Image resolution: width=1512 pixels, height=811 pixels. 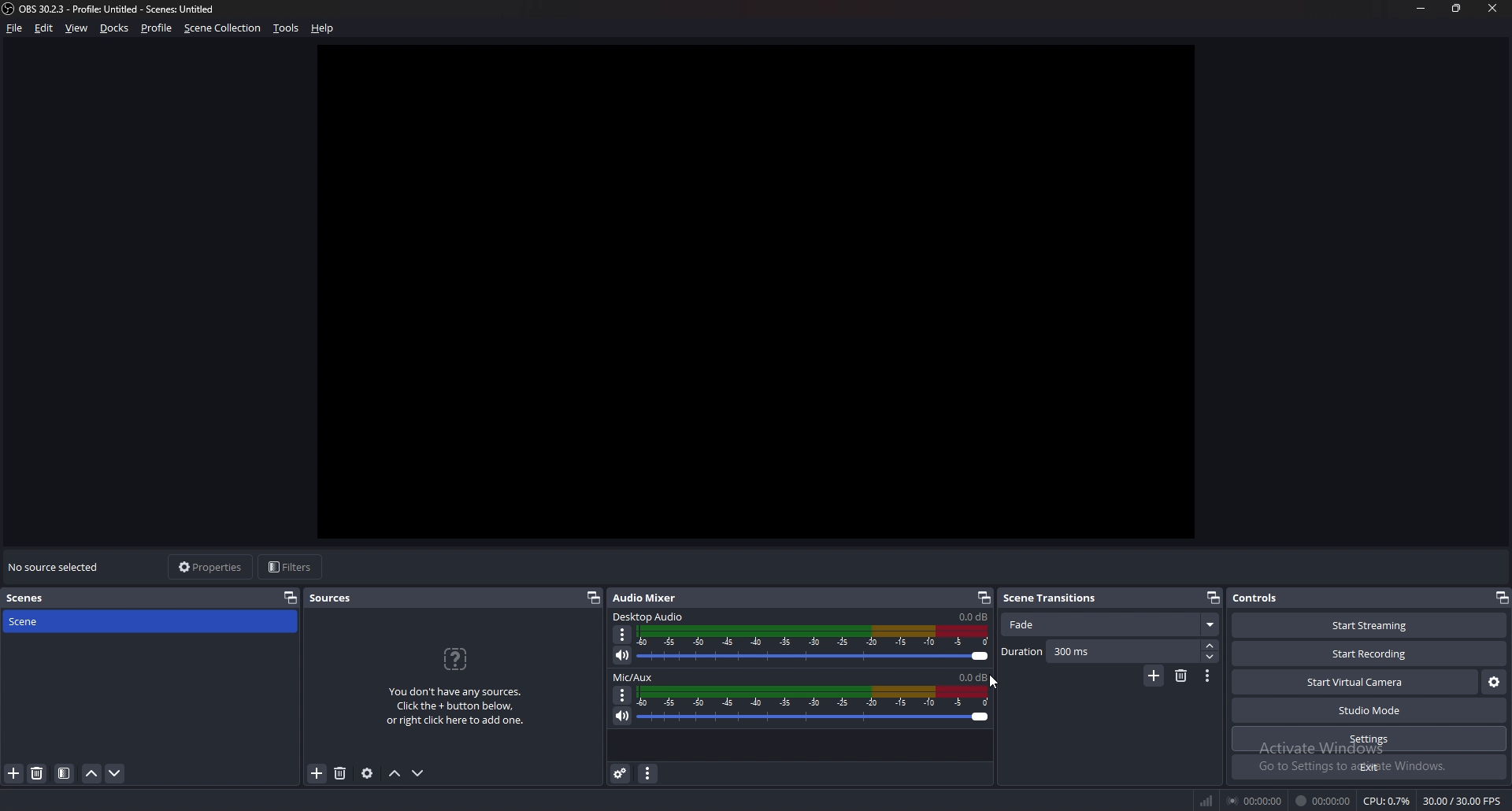 I want to click on mute, so click(x=624, y=655).